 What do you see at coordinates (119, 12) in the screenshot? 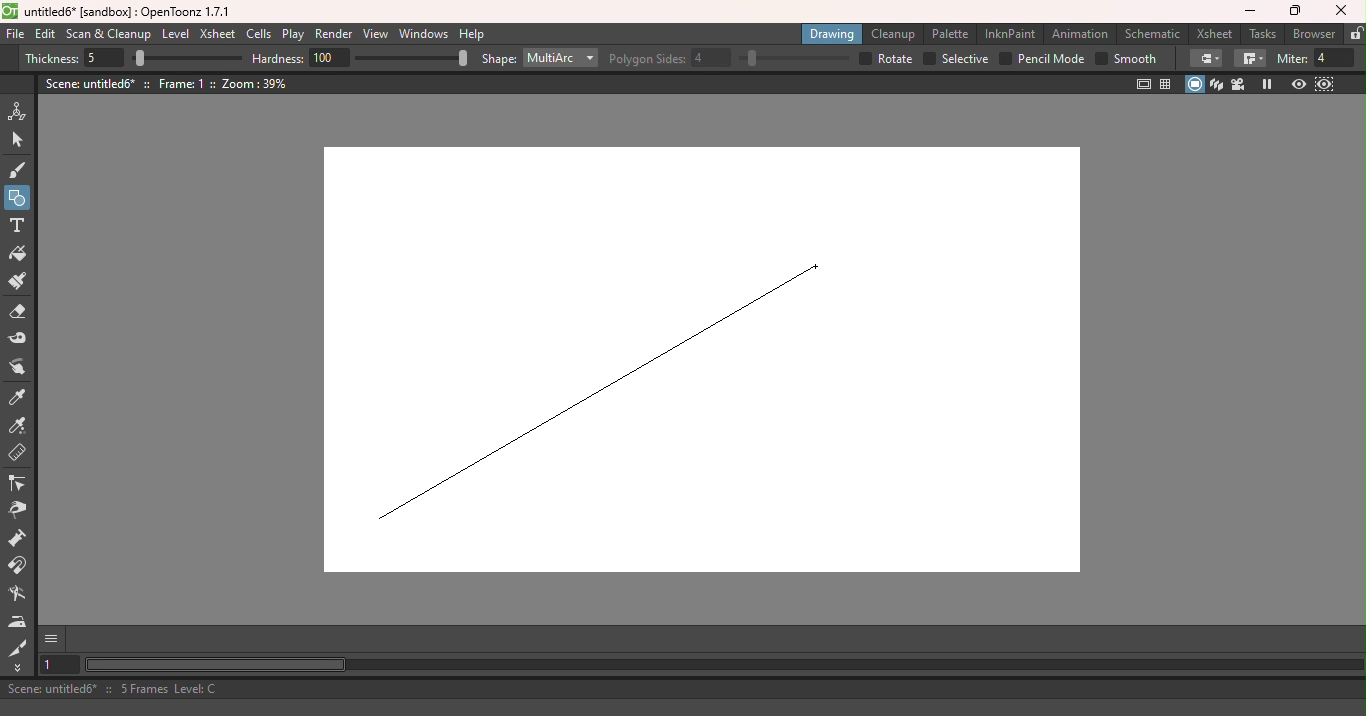
I see `untitled6* [sandbox] : OpenToonz 1.7.1` at bounding box center [119, 12].